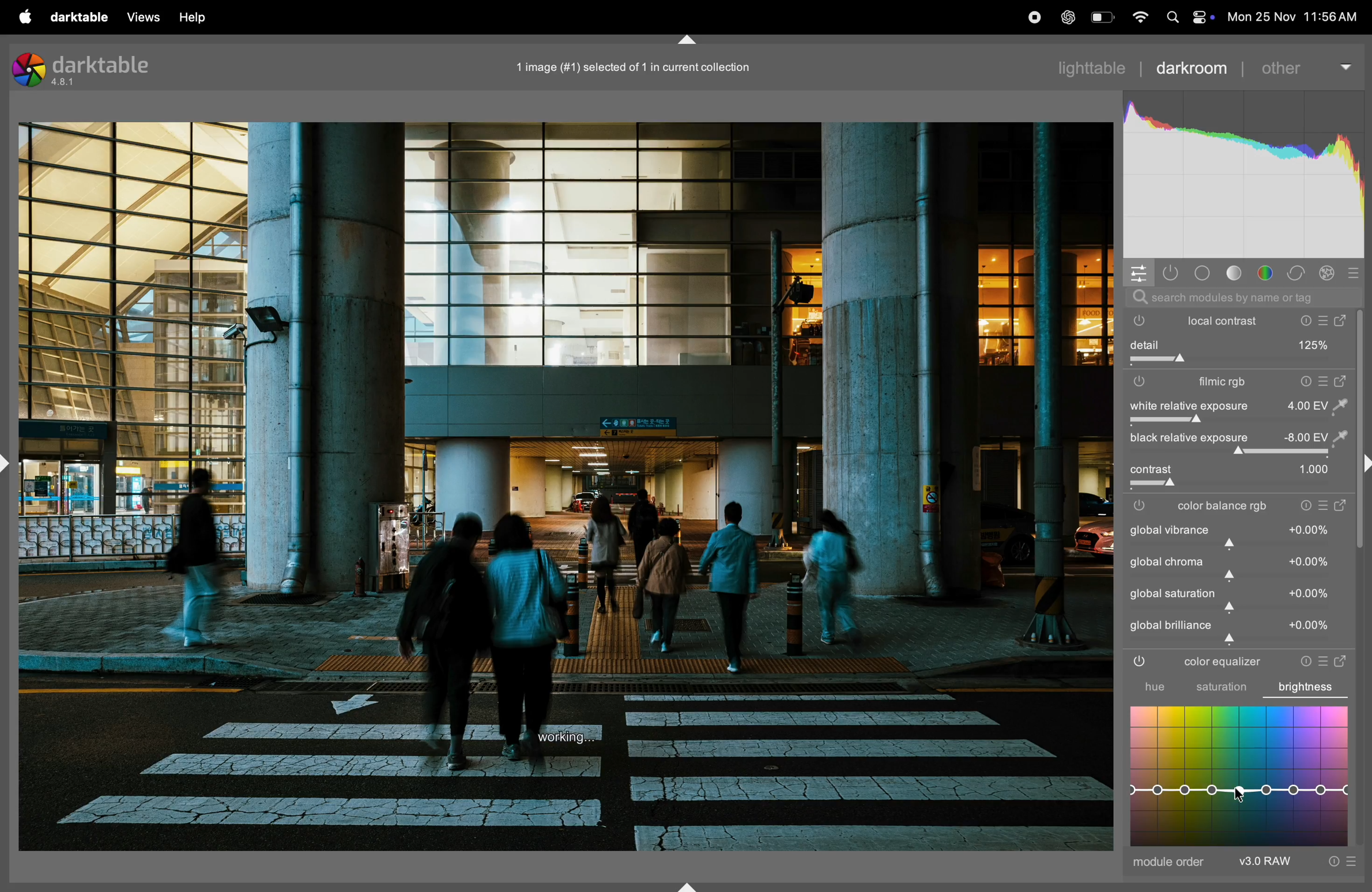 Image resolution: width=1372 pixels, height=892 pixels. Describe the element at coordinates (1140, 663) in the screenshot. I see `color equalizer is on` at that location.